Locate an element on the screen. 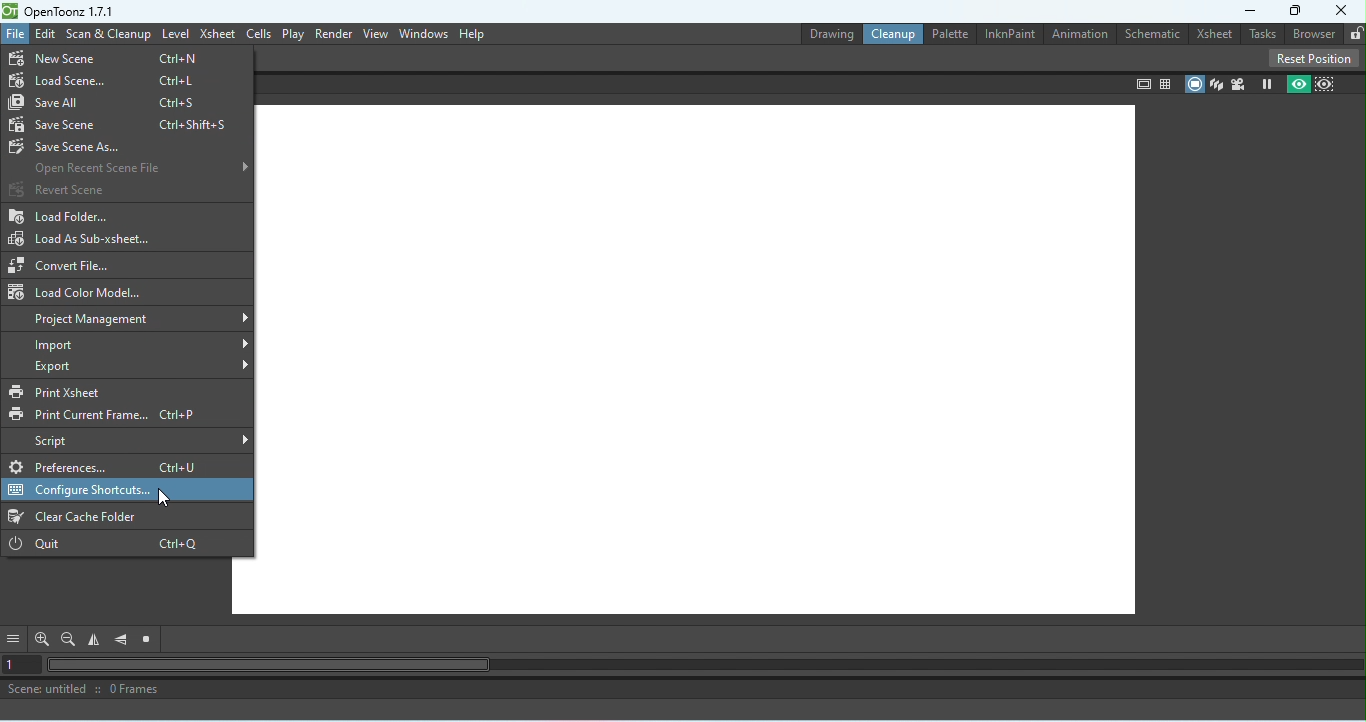 Image resolution: width=1366 pixels, height=722 pixels. Field guide is located at coordinates (1166, 83).